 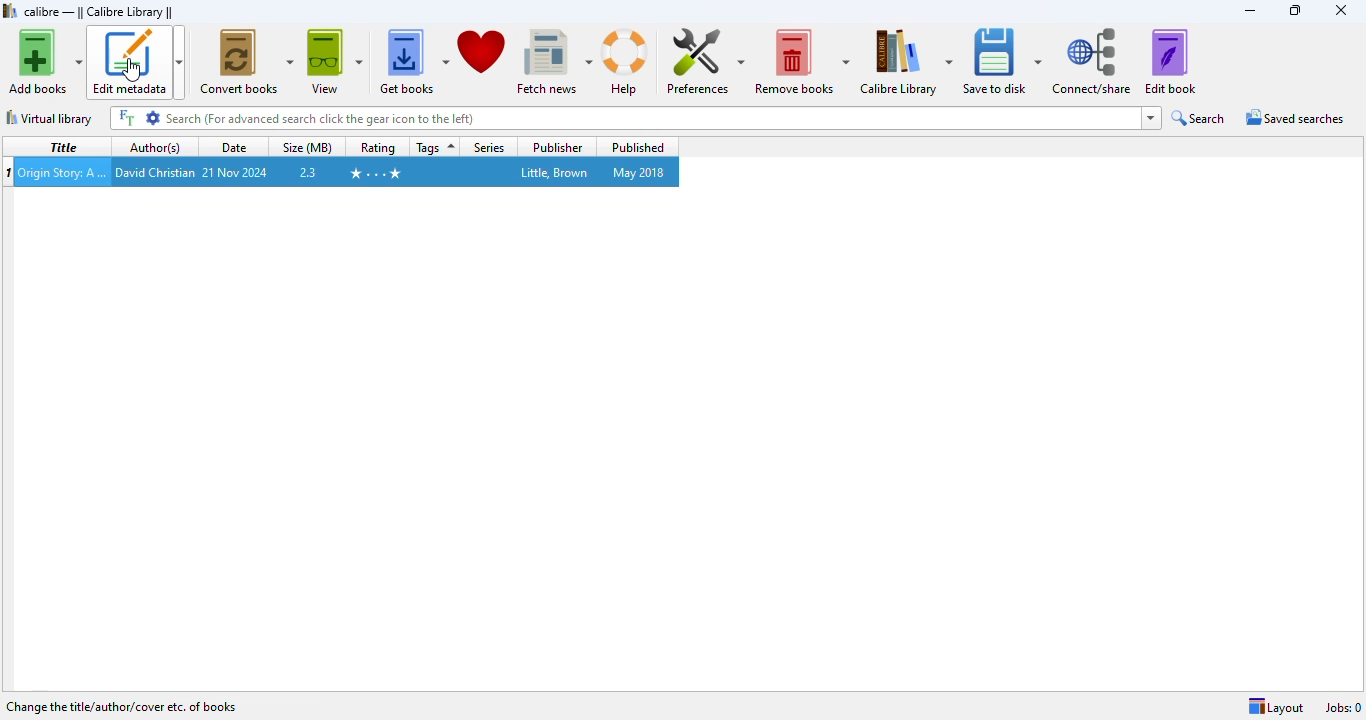 I want to click on calibre library, so click(x=100, y=11).